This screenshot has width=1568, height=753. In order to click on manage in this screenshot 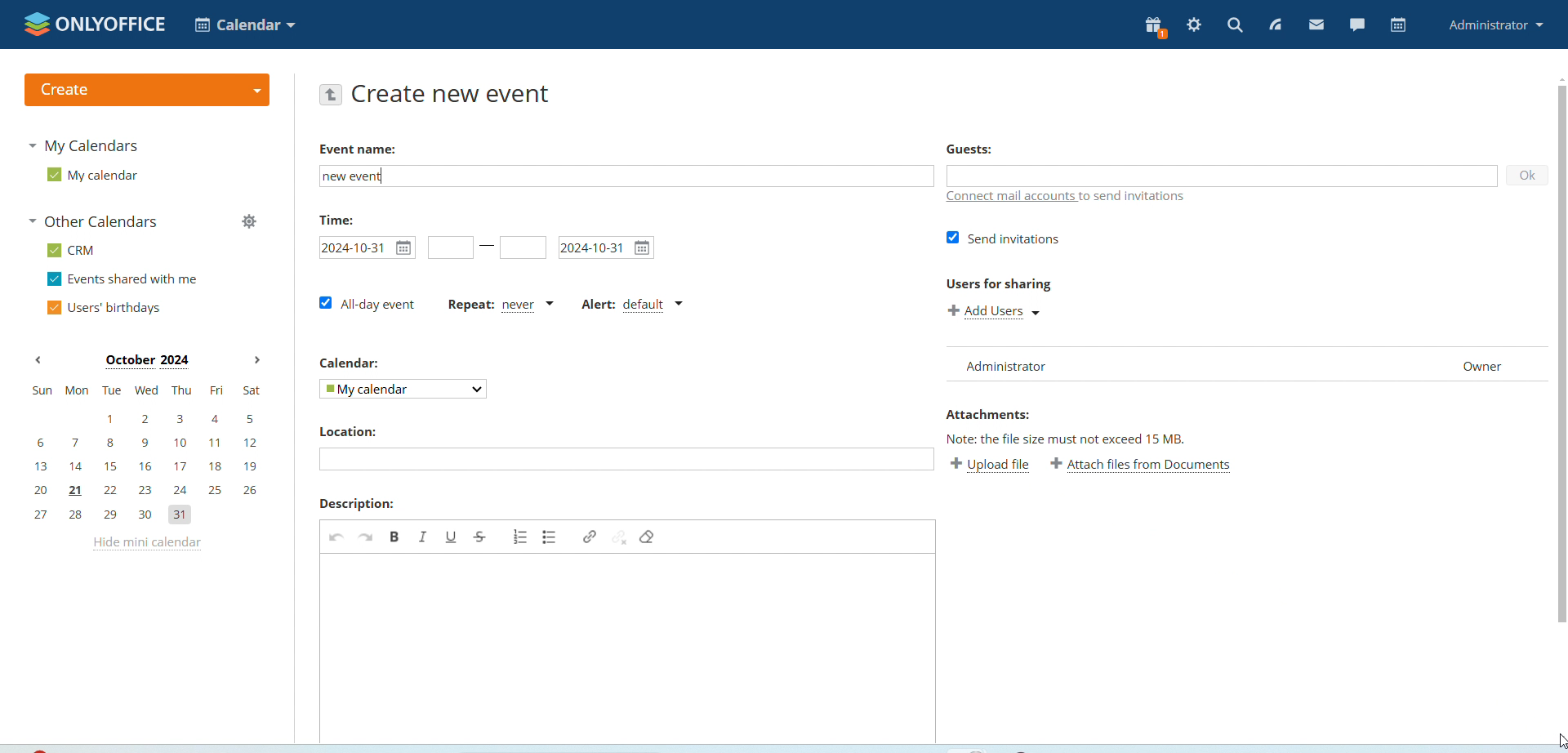, I will do `click(251, 221)`.